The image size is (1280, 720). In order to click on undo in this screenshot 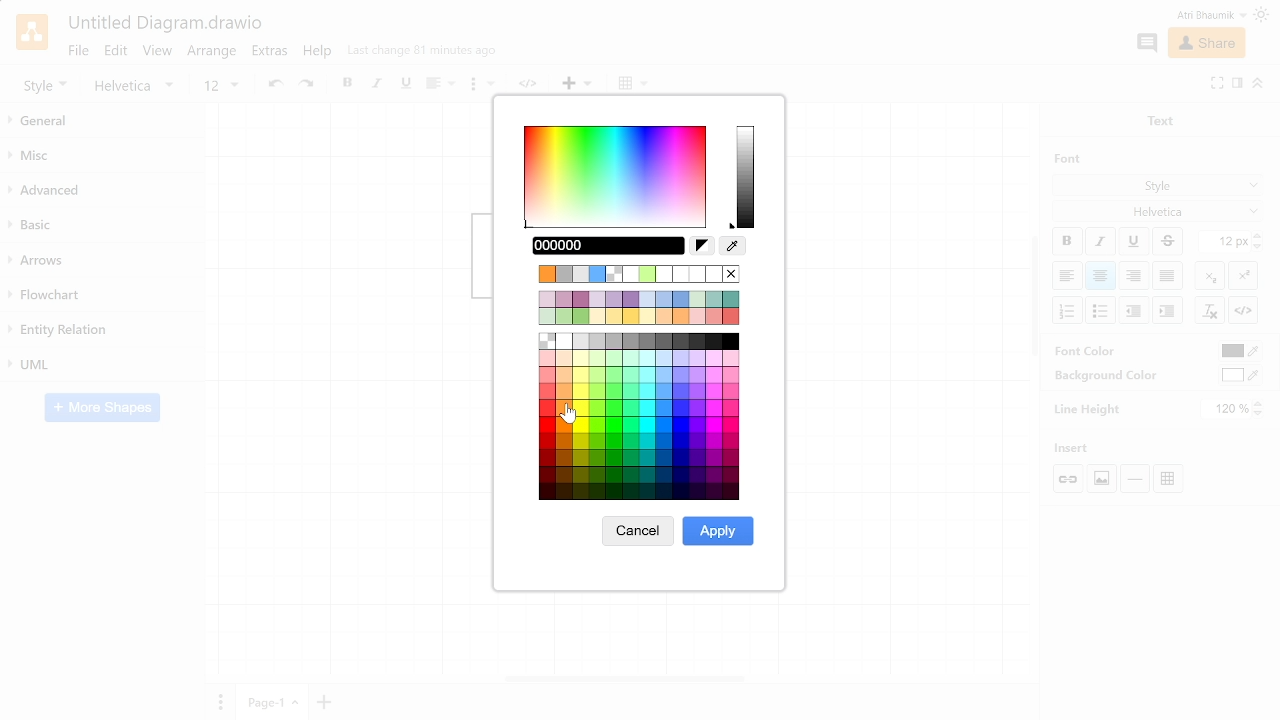, I will do `click(273, 85)`.